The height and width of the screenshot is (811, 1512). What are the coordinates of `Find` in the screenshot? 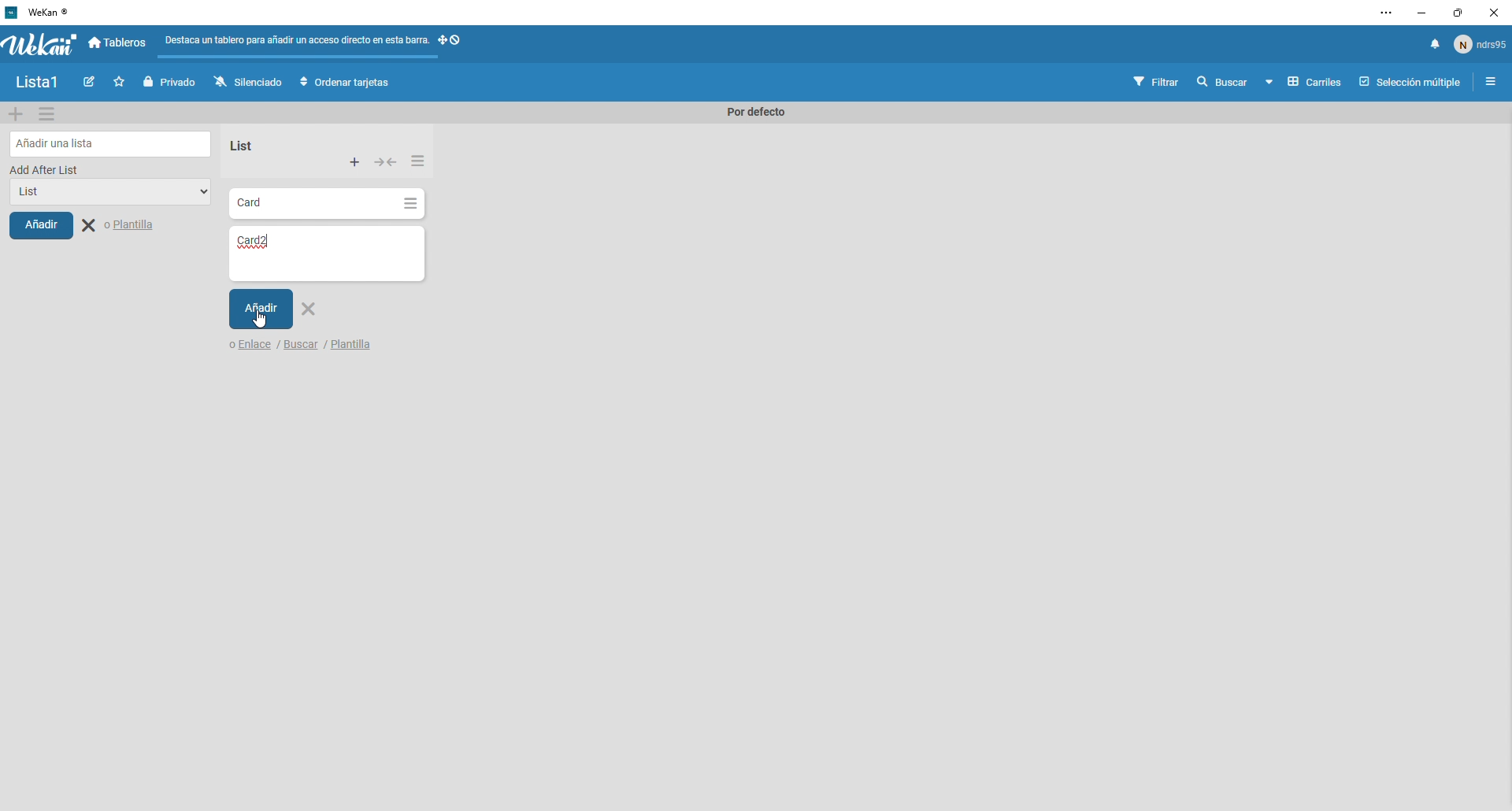 It's located at (303, 347).